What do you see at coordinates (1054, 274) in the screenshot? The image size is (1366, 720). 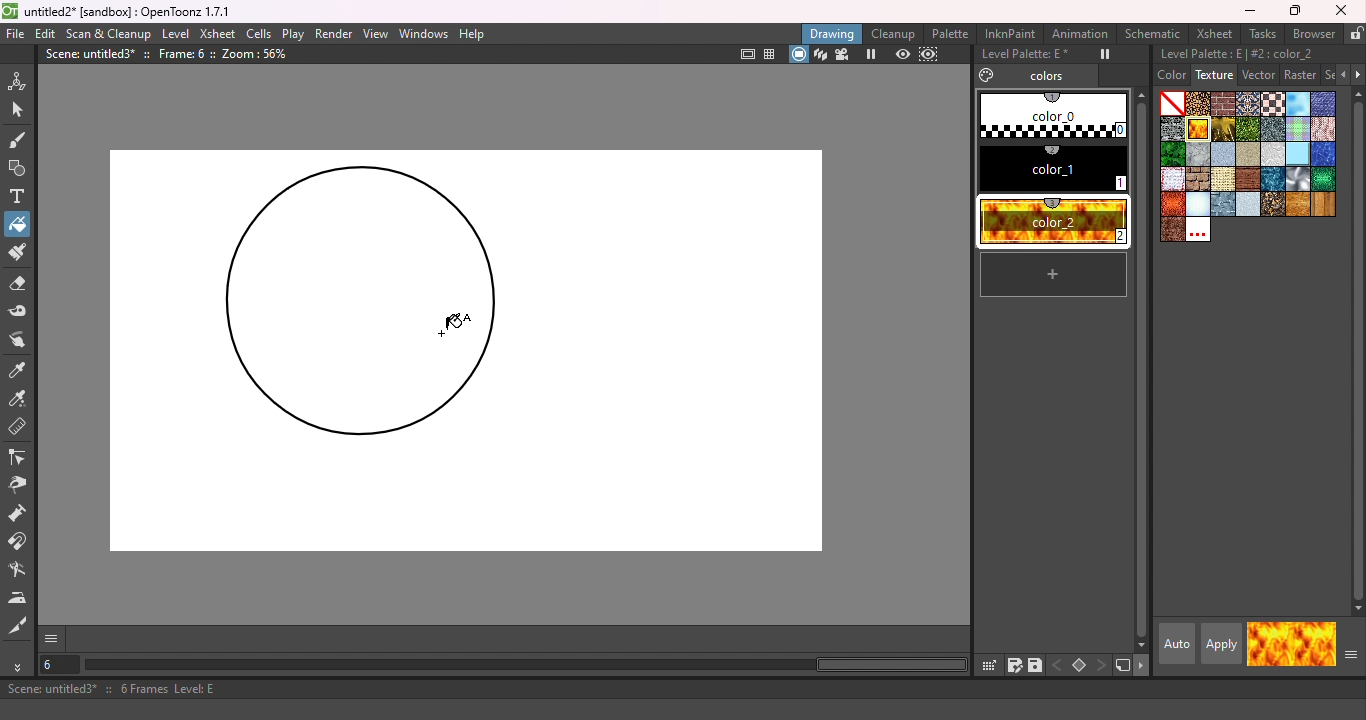 I see `new style` at bounding box center [1054, 274].